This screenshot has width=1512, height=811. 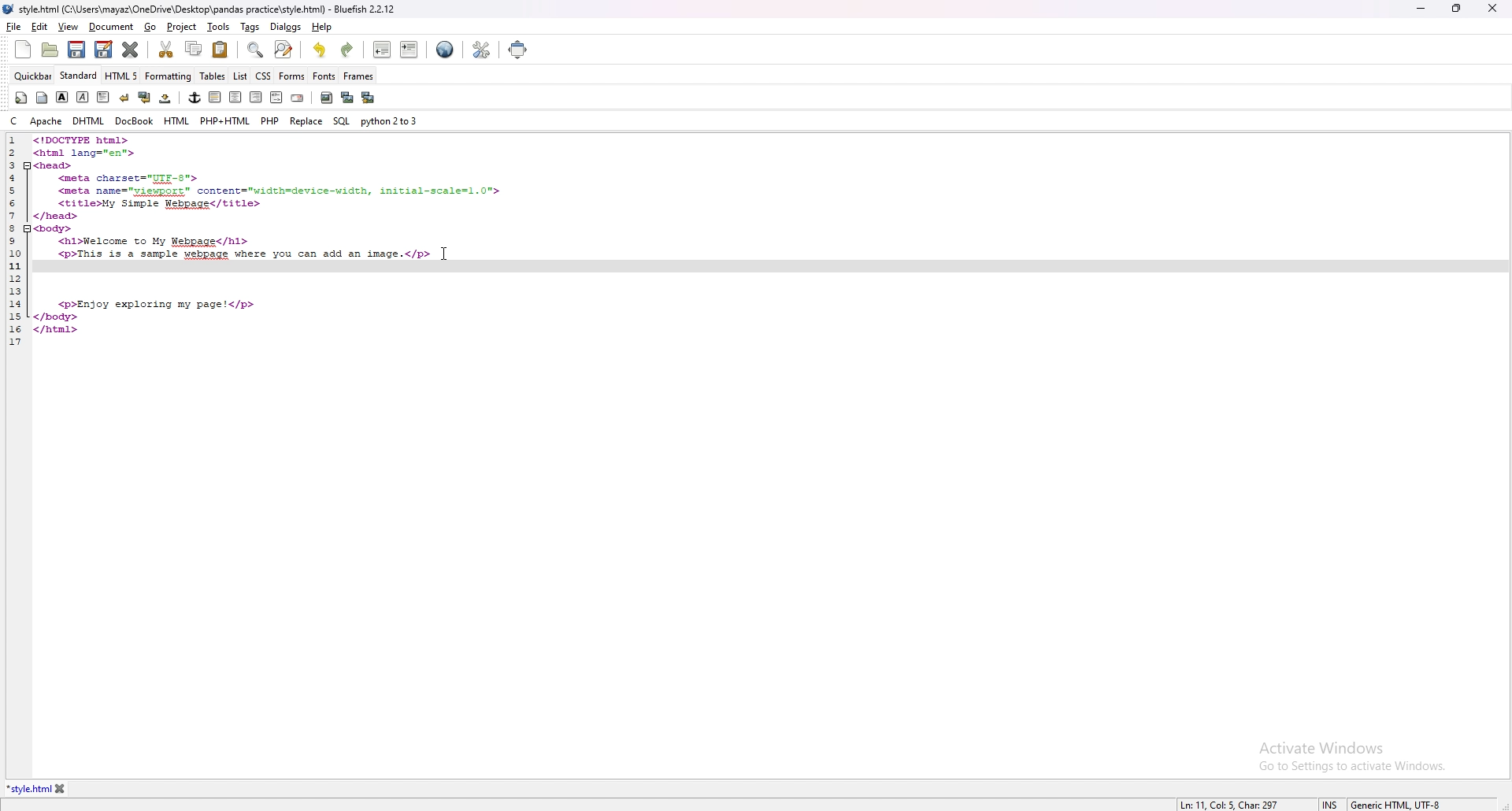 What do you see at coordinates (111, 28) in the screenshot?
I see `document` at bounding box center [111, 28].